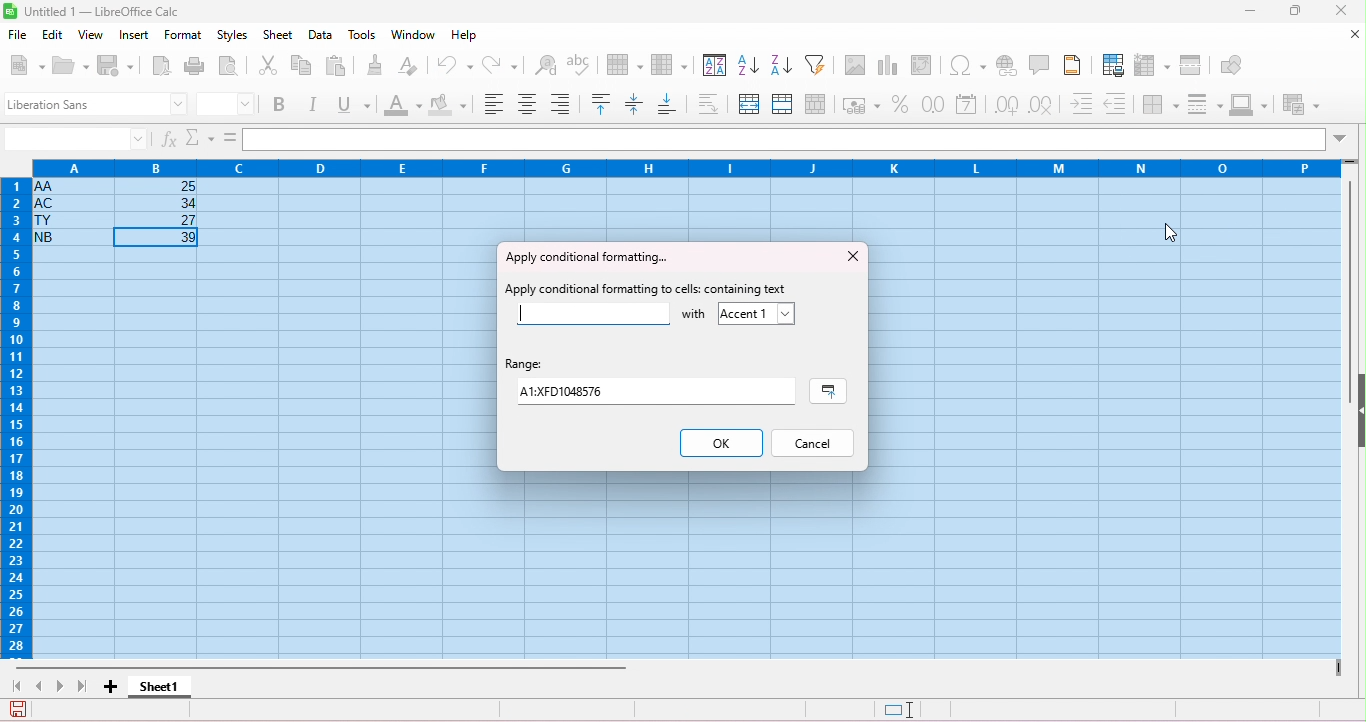 The width and height of the screenshot is (1366, 722). Describe the element at coordinates (1155, 64) in the screenshot. I see `freeze rows and columns` at that location.